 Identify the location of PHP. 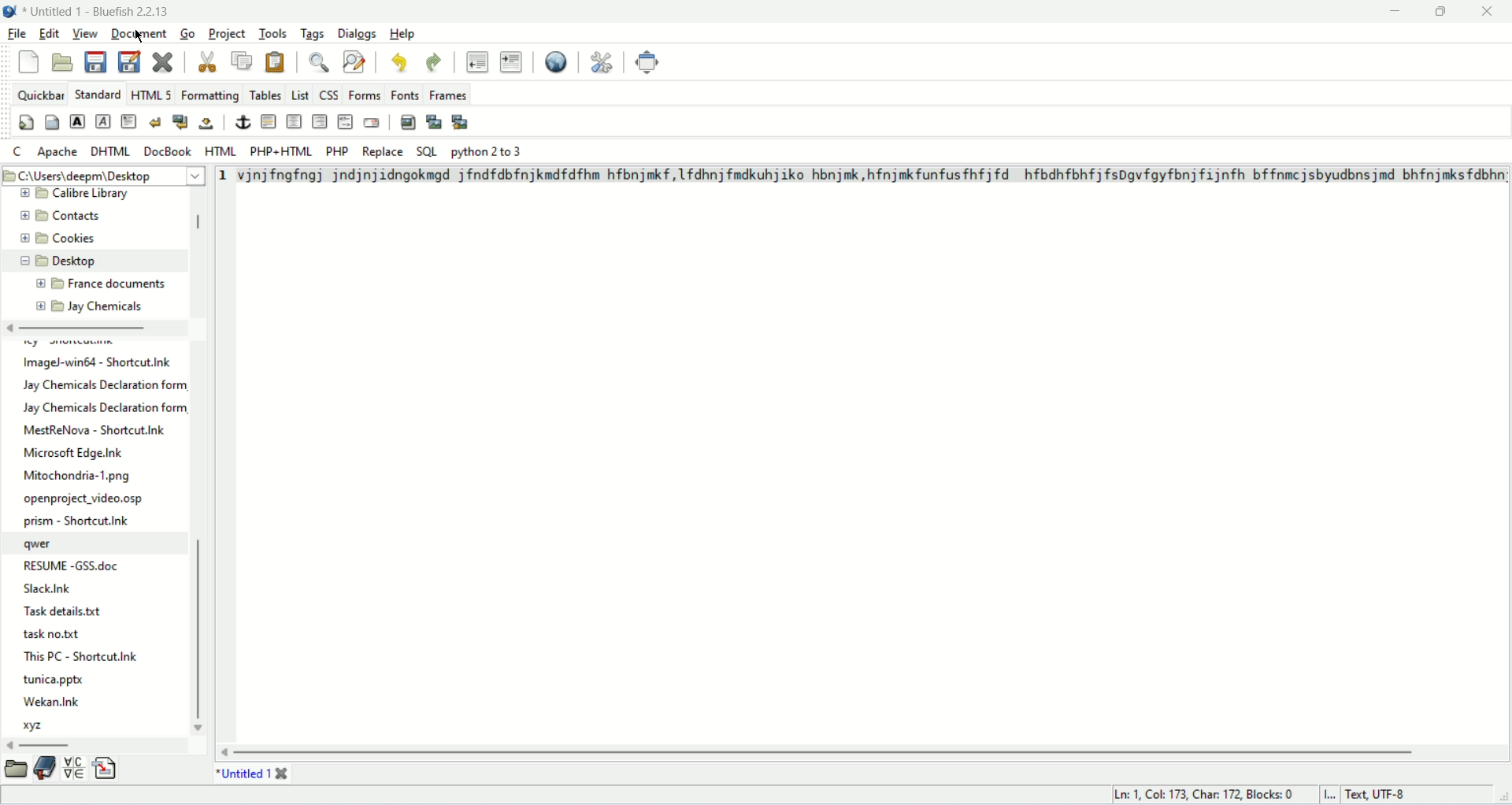
(338, 151).